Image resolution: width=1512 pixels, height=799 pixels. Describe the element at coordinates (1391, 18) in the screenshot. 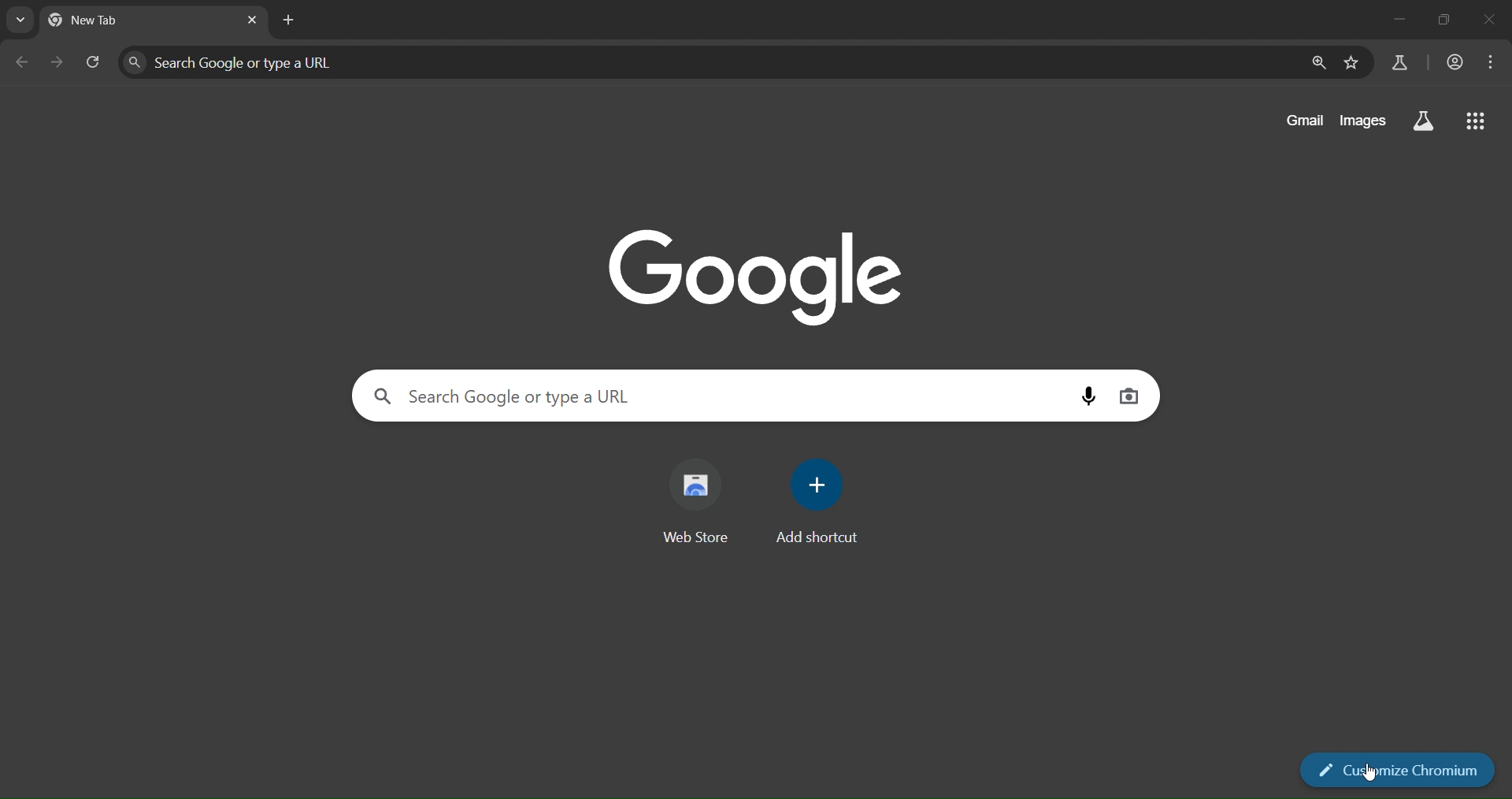

I see `minimize` at that location.